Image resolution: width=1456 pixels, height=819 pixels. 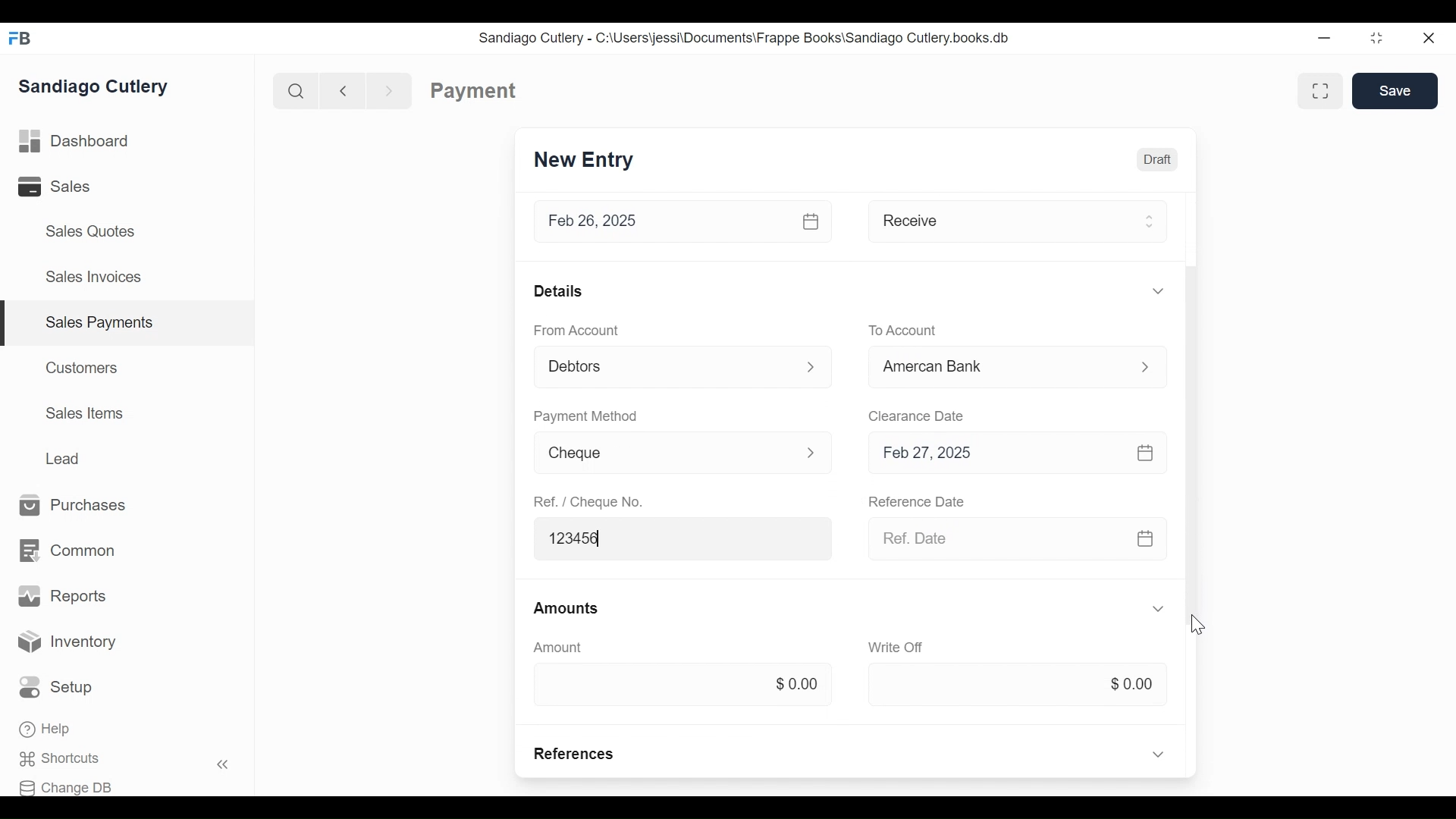 I want to click on cursor, so click(x=1198, y=623).